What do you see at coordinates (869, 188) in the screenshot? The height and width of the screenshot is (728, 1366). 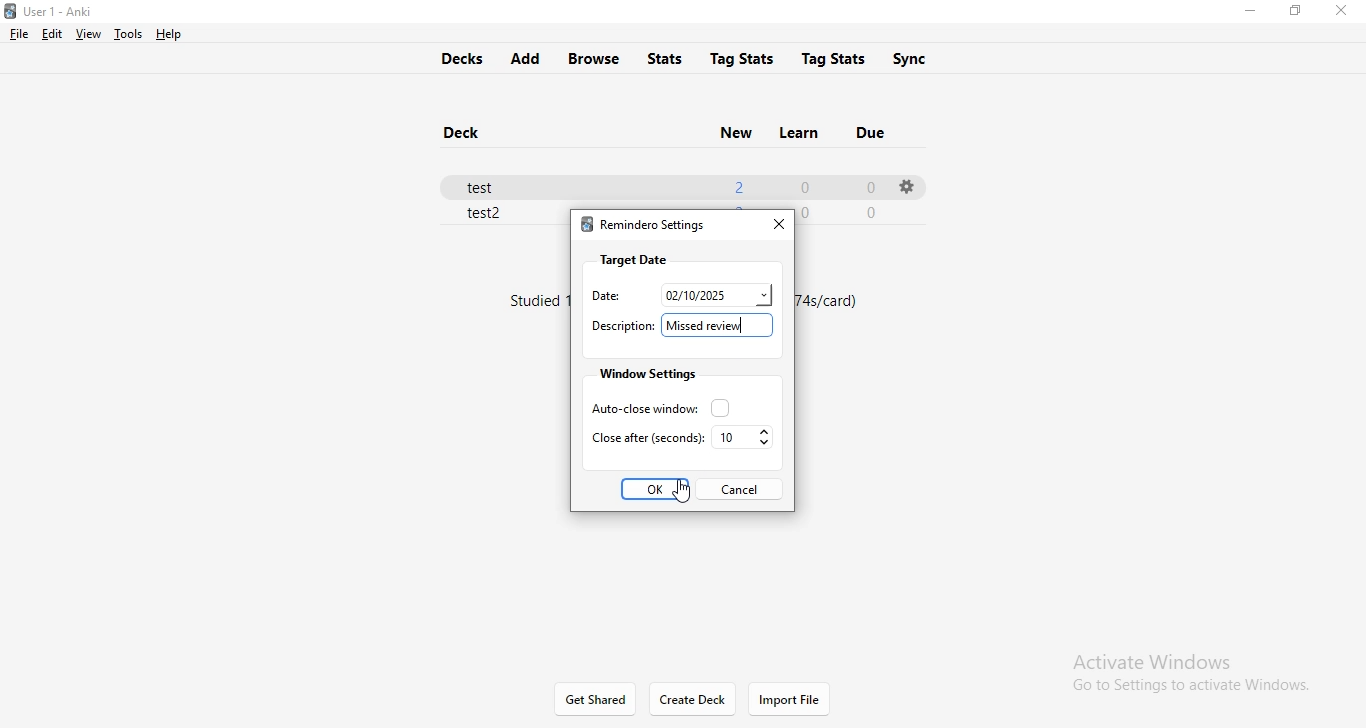 I see `0` at bounding box center [869, 188].